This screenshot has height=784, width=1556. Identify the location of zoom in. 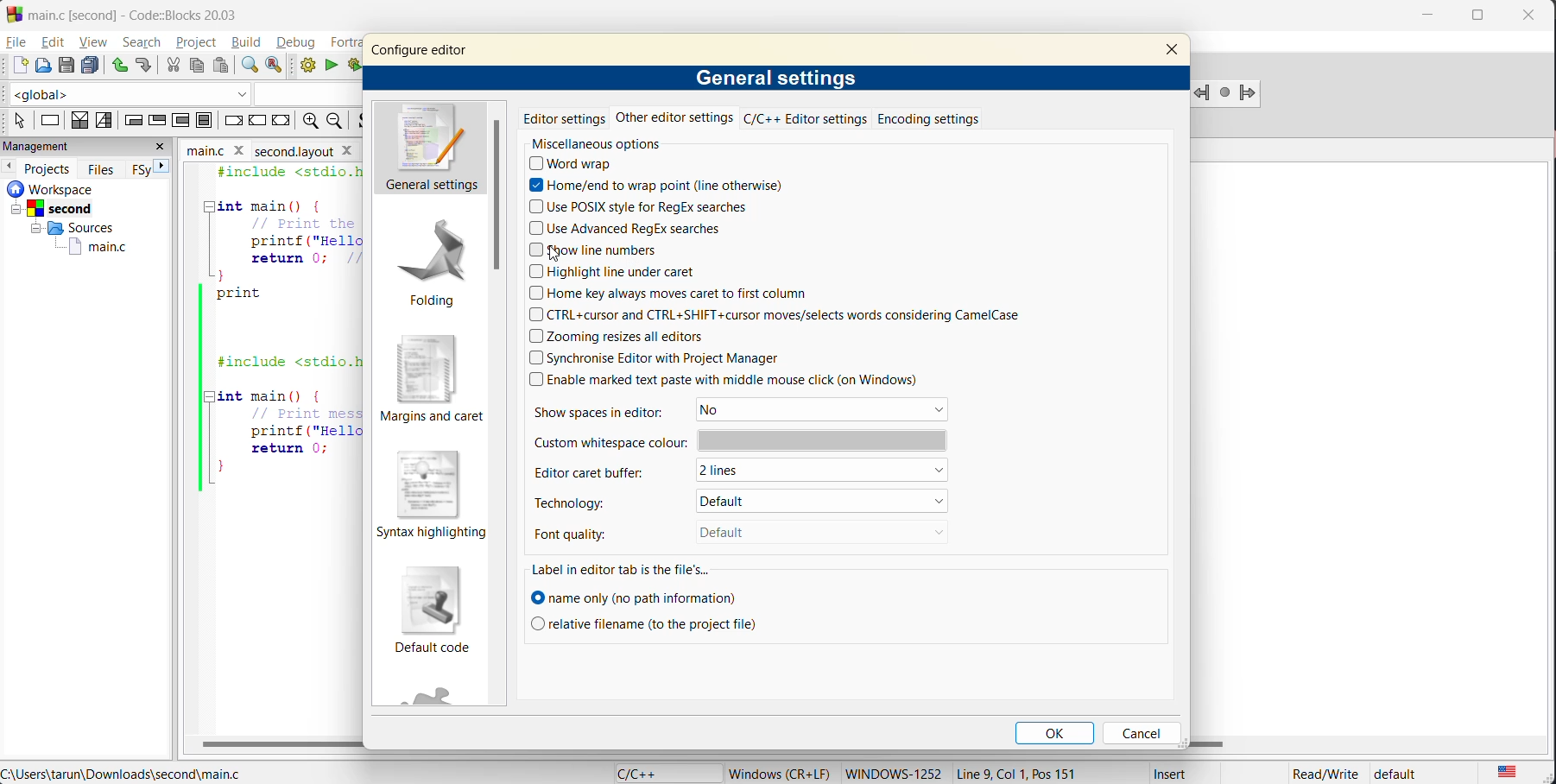
(336, 123).